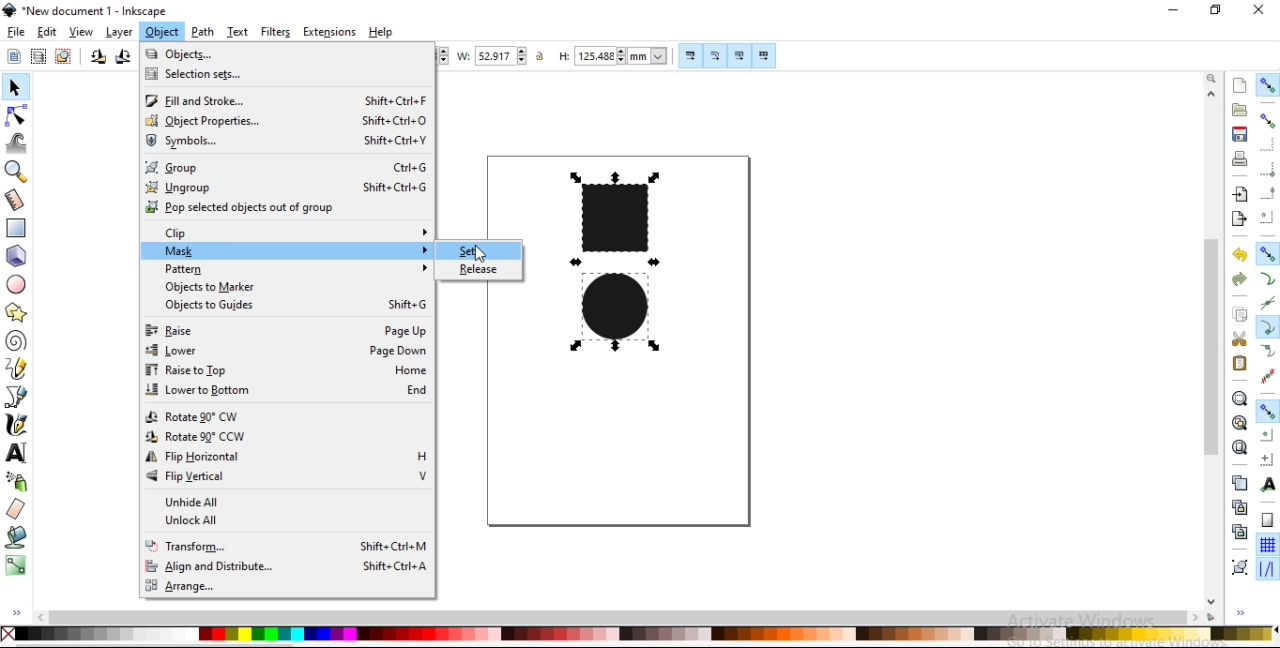 The height and width of the screenshot is (648, 1280). I want to click on snap midpoints of bounding box edges, so click(1268, 194).